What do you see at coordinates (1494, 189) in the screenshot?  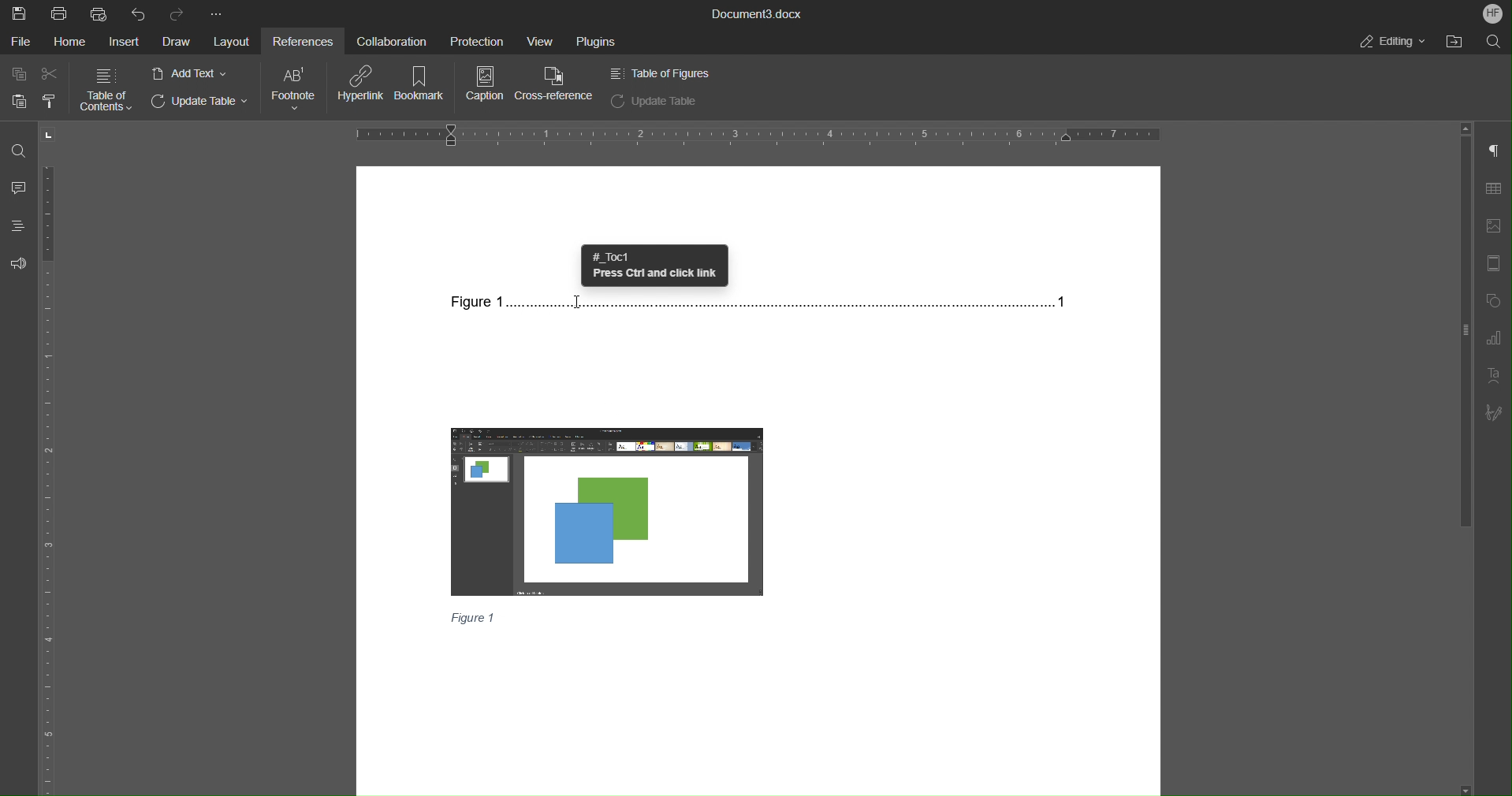 I see `Table Settings` at bounding box center [1494, 189].